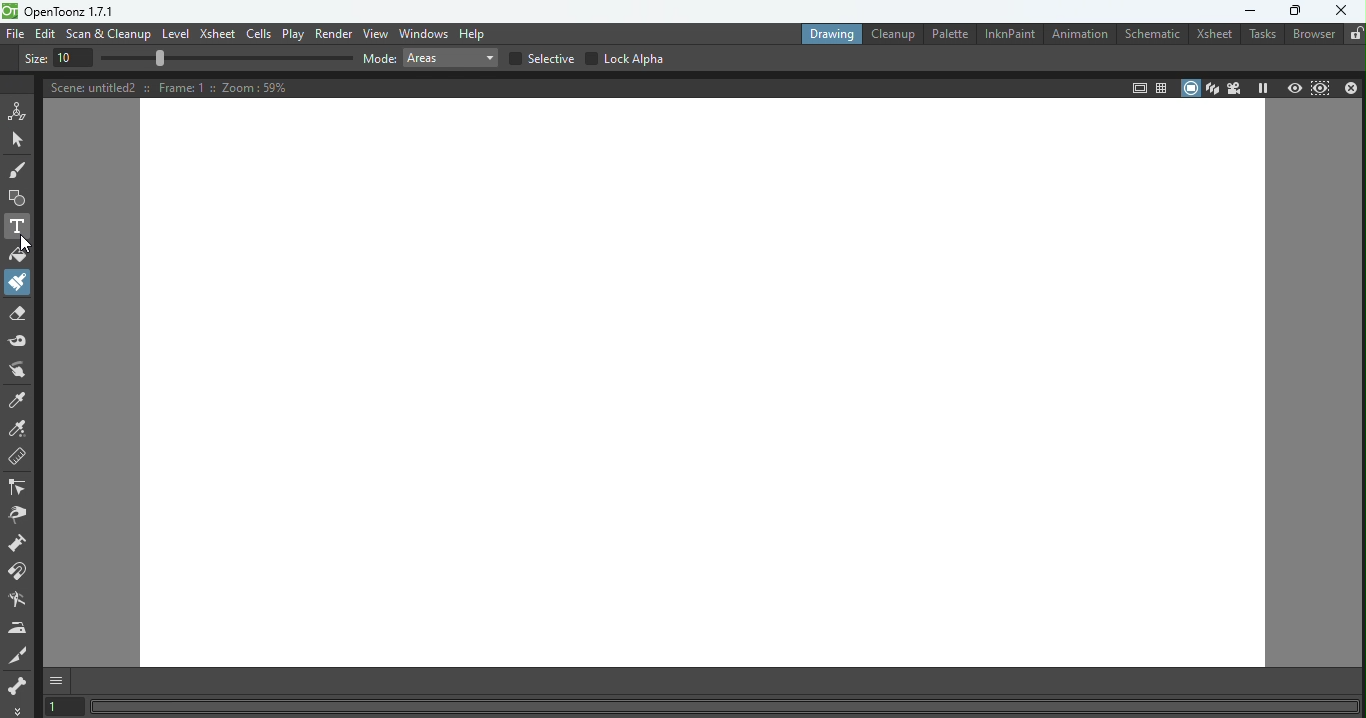  Describe the element at coordinates (177, 36) in the screenshot. I see `Level` at that location.